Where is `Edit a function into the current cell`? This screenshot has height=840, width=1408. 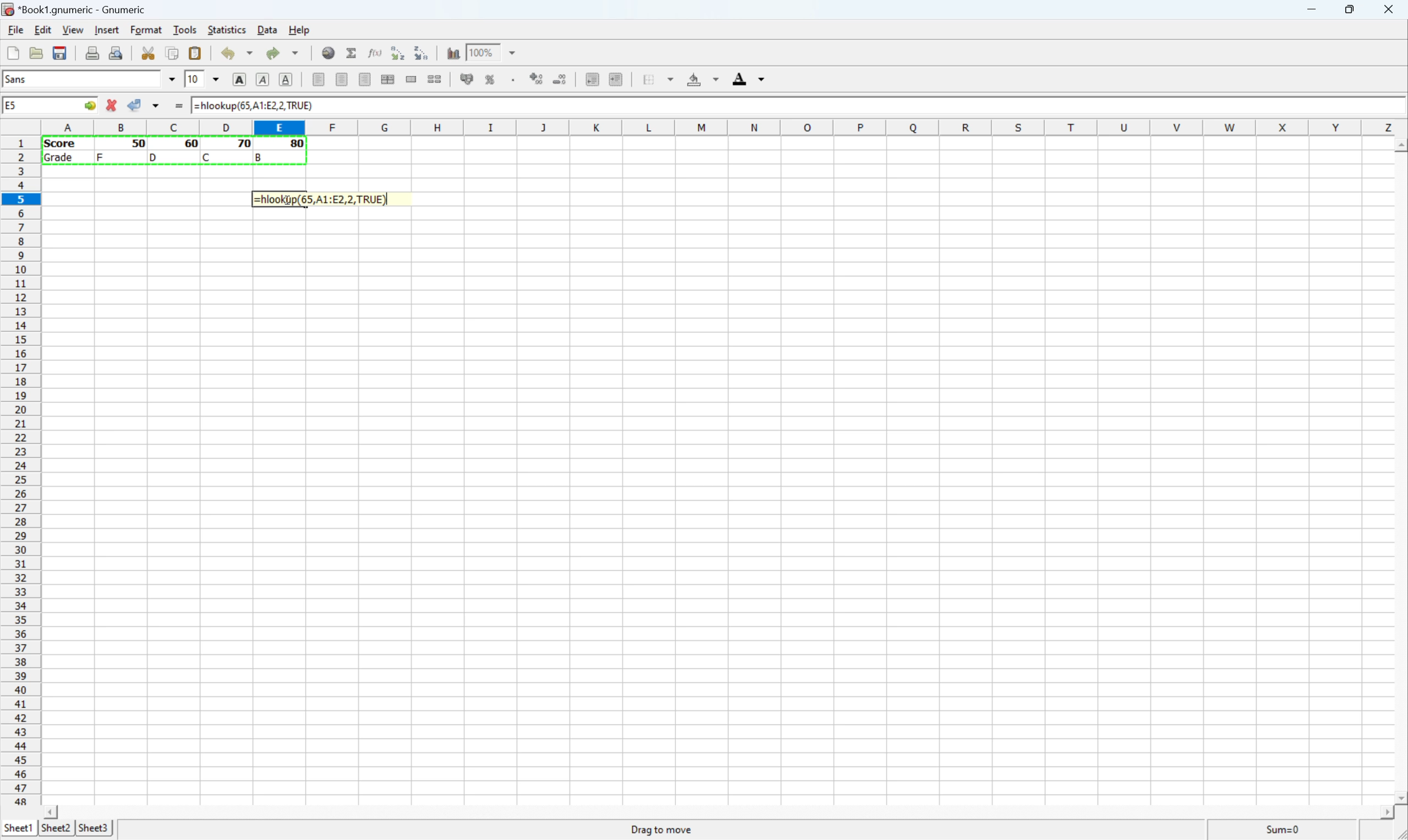 Edit a function into the current cell is located at coordinates (373, 52).